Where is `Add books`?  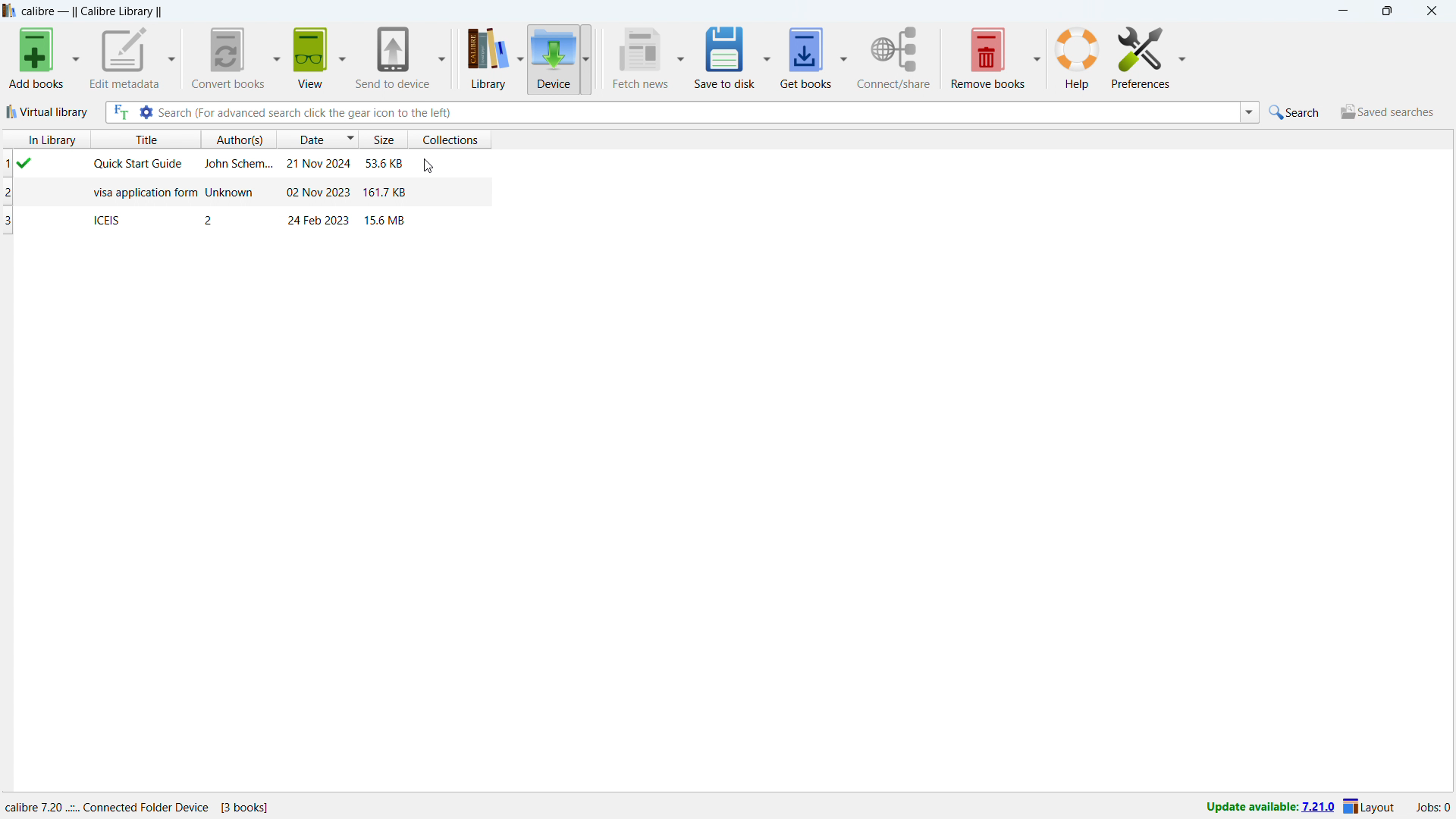
Add books is located at coordinates (35, 59).